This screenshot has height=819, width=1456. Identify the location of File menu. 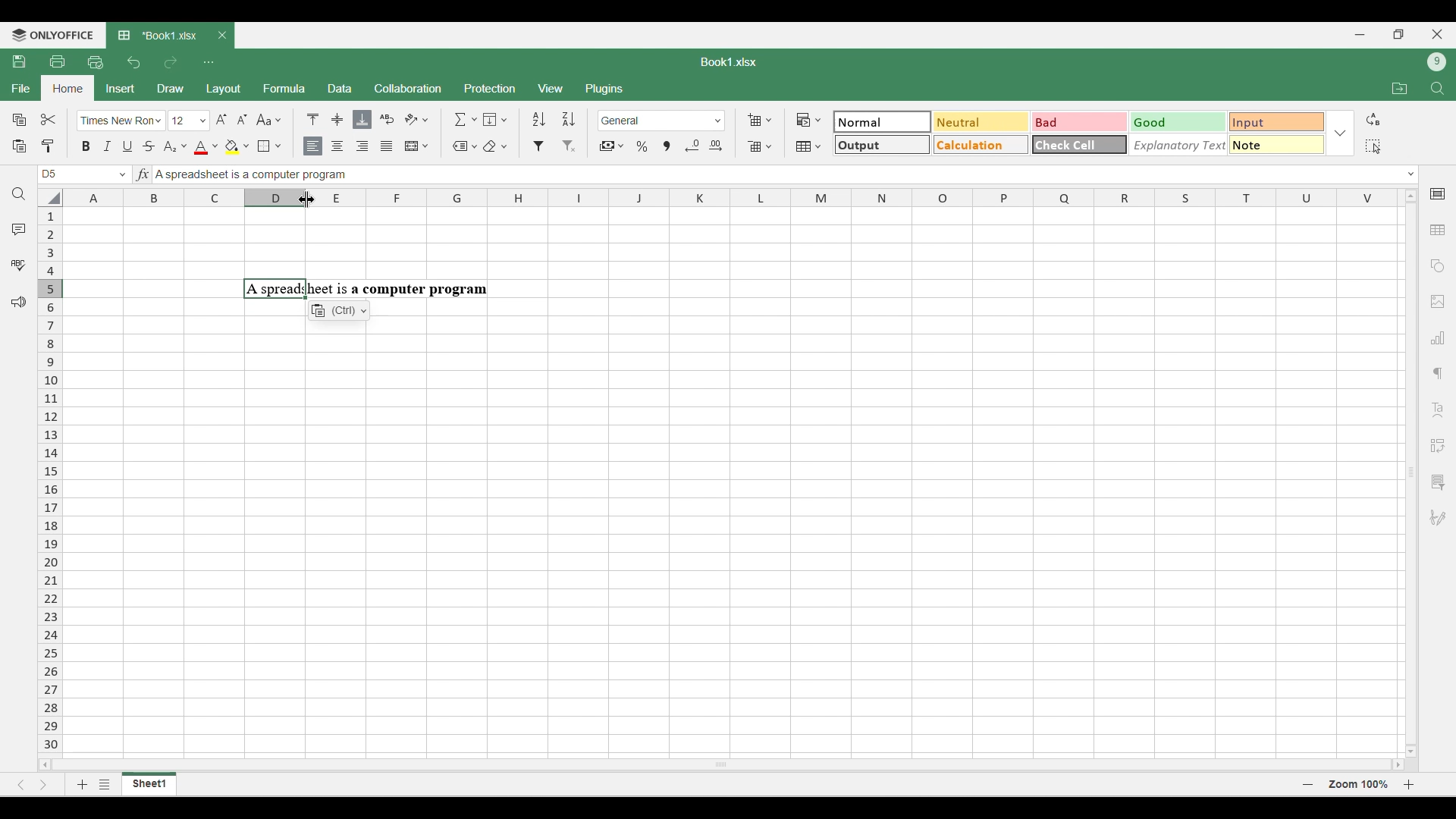
(20, 88).